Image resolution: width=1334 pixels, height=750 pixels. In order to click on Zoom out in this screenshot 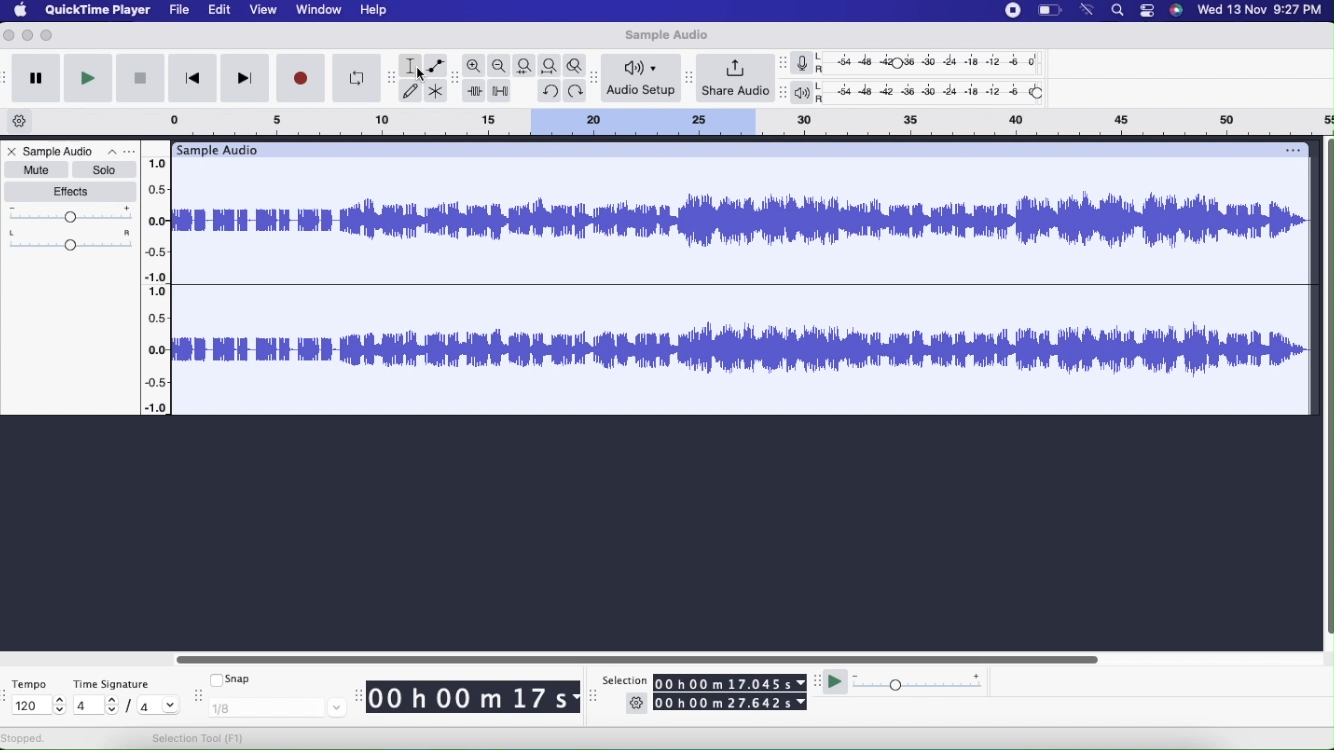, I will do `click(500, 66)`.